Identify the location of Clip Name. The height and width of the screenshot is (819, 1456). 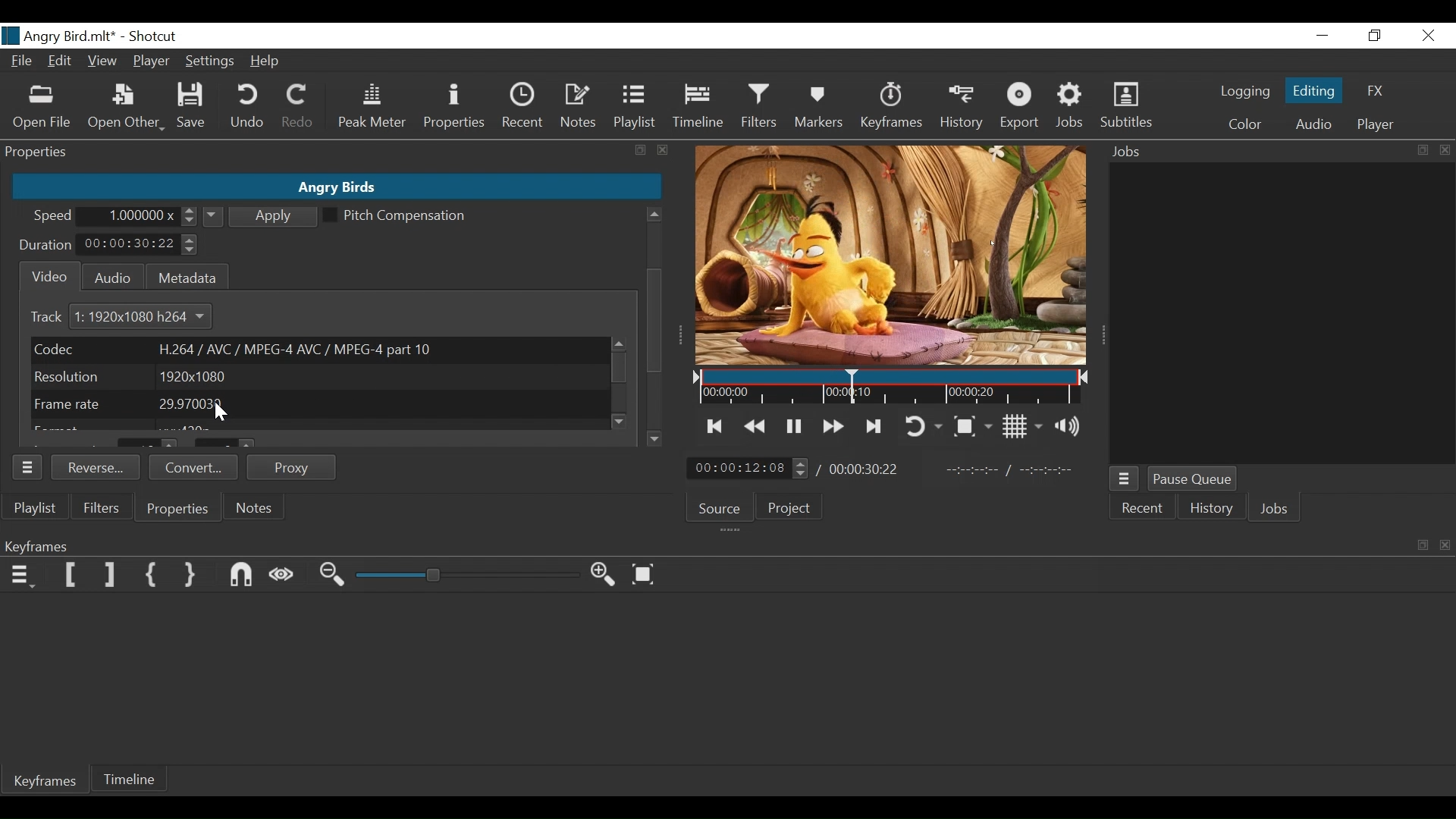
(335, 187).